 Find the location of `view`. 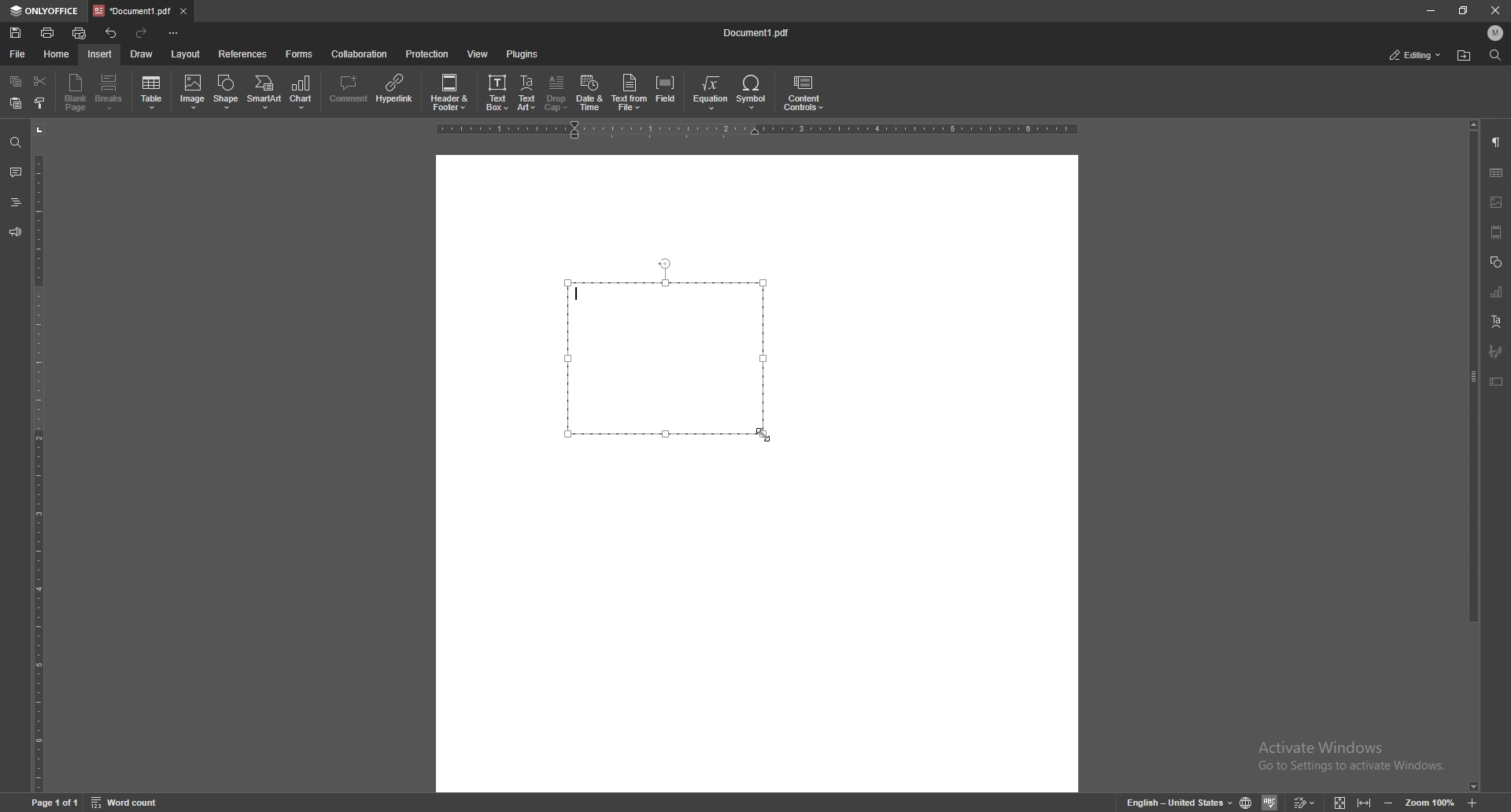

view is located at coordinates (478, 54).